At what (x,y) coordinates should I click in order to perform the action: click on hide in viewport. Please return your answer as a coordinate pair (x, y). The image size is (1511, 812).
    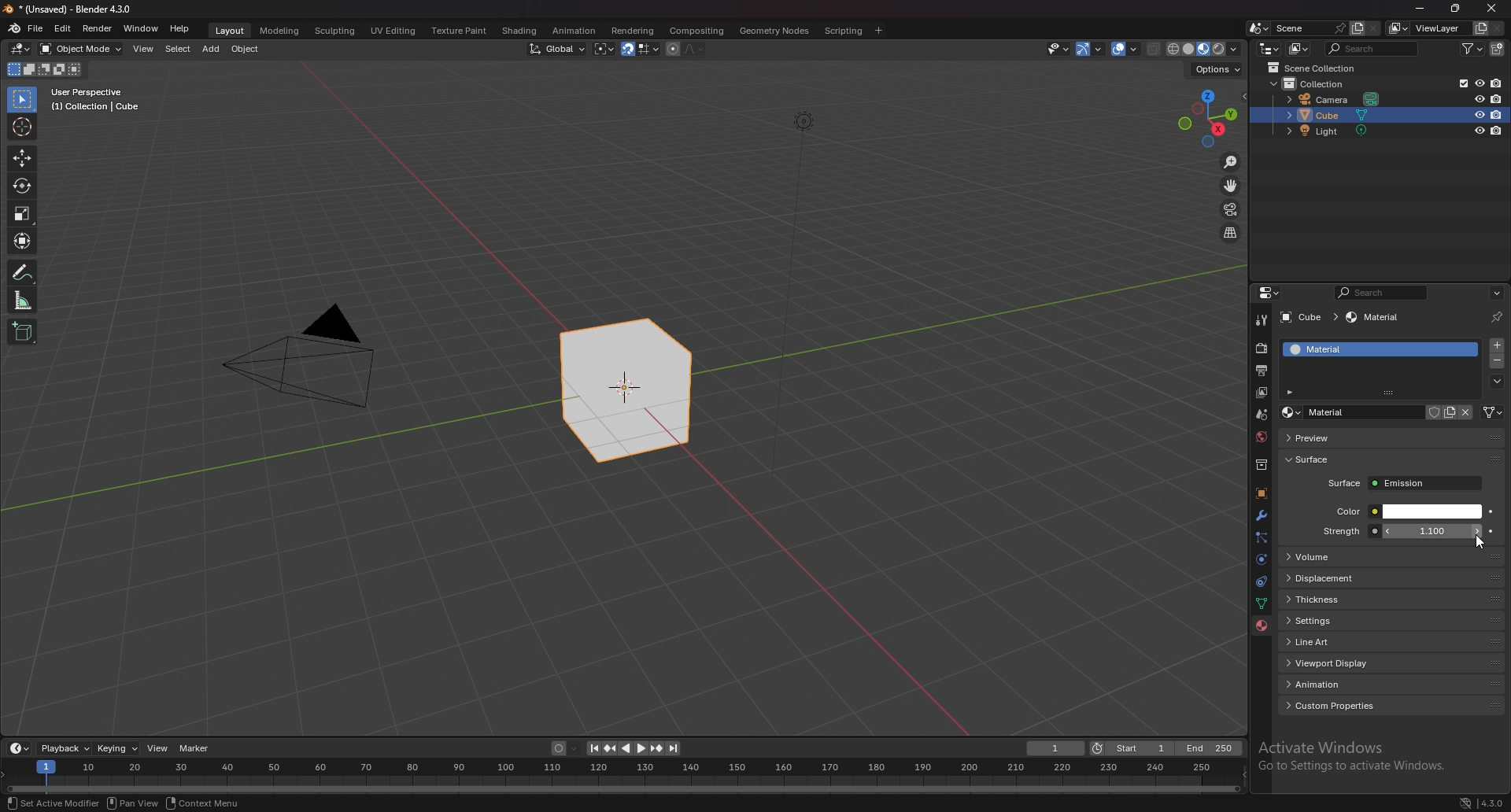
    Looking at the image, I should click on (1478, 115).